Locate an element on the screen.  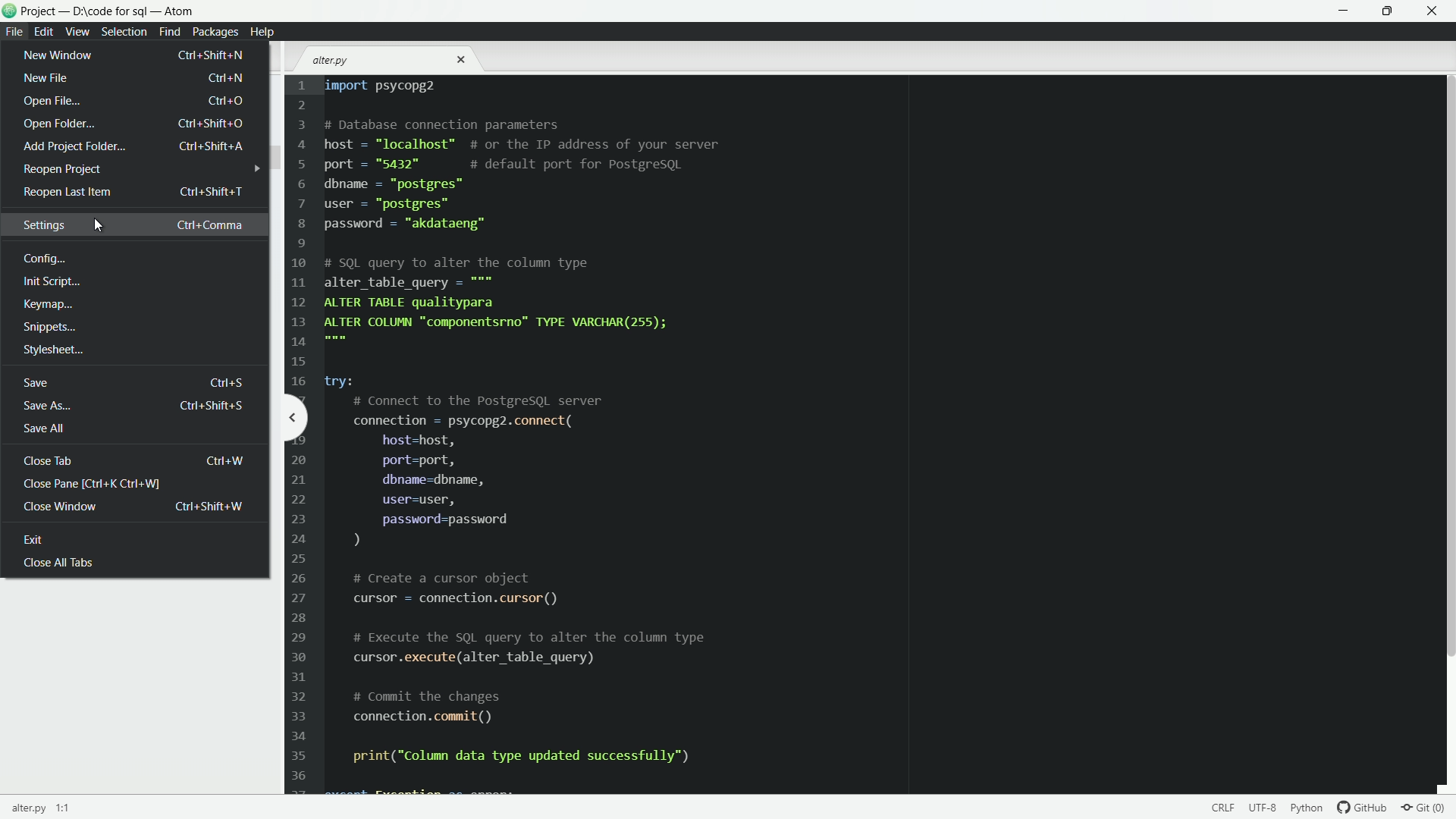
new window is located at coordinates (133, 55).